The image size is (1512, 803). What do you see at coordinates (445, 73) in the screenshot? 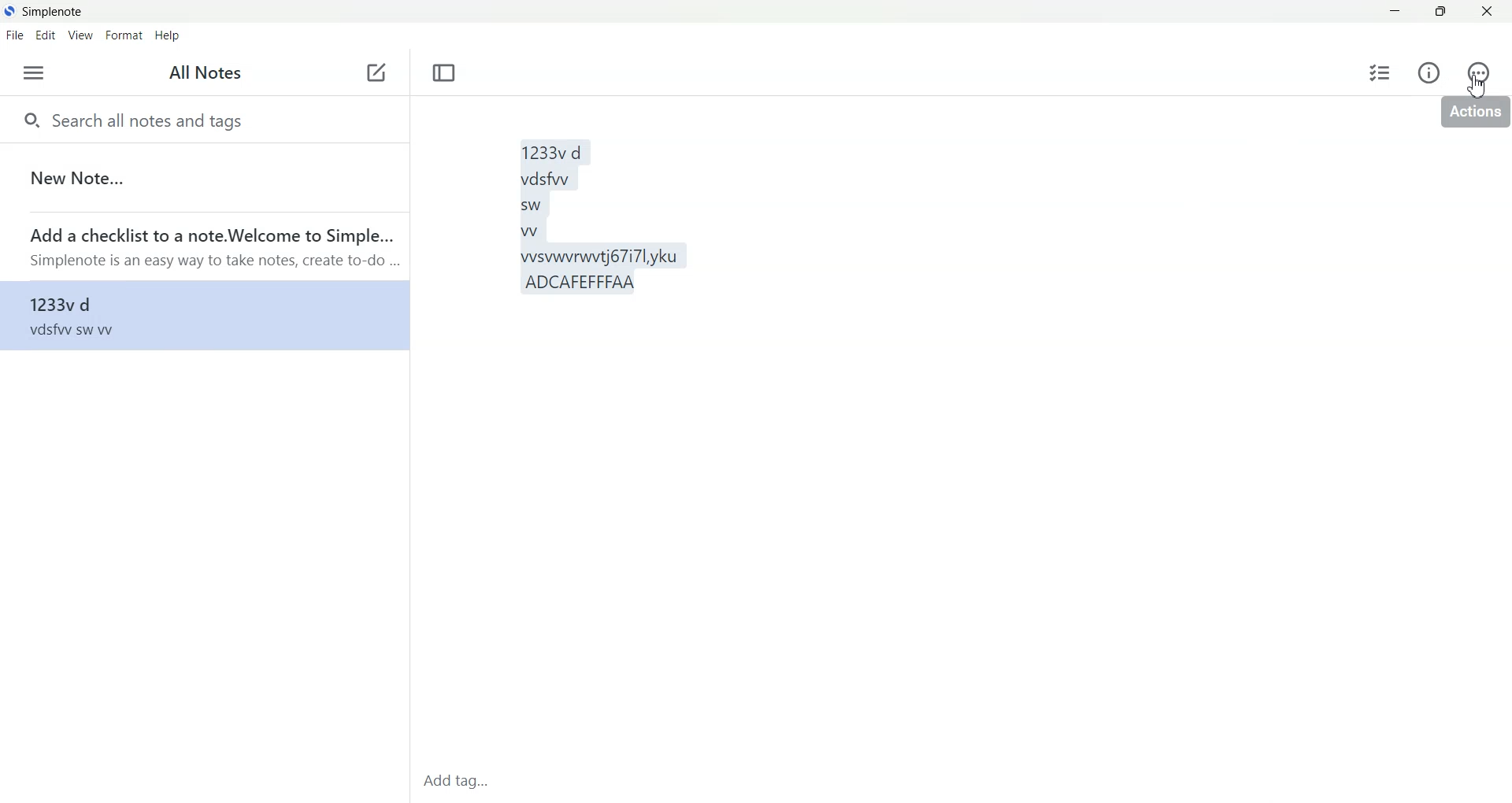
I see `Toggle focus mode` at bounding box center [445, 73].